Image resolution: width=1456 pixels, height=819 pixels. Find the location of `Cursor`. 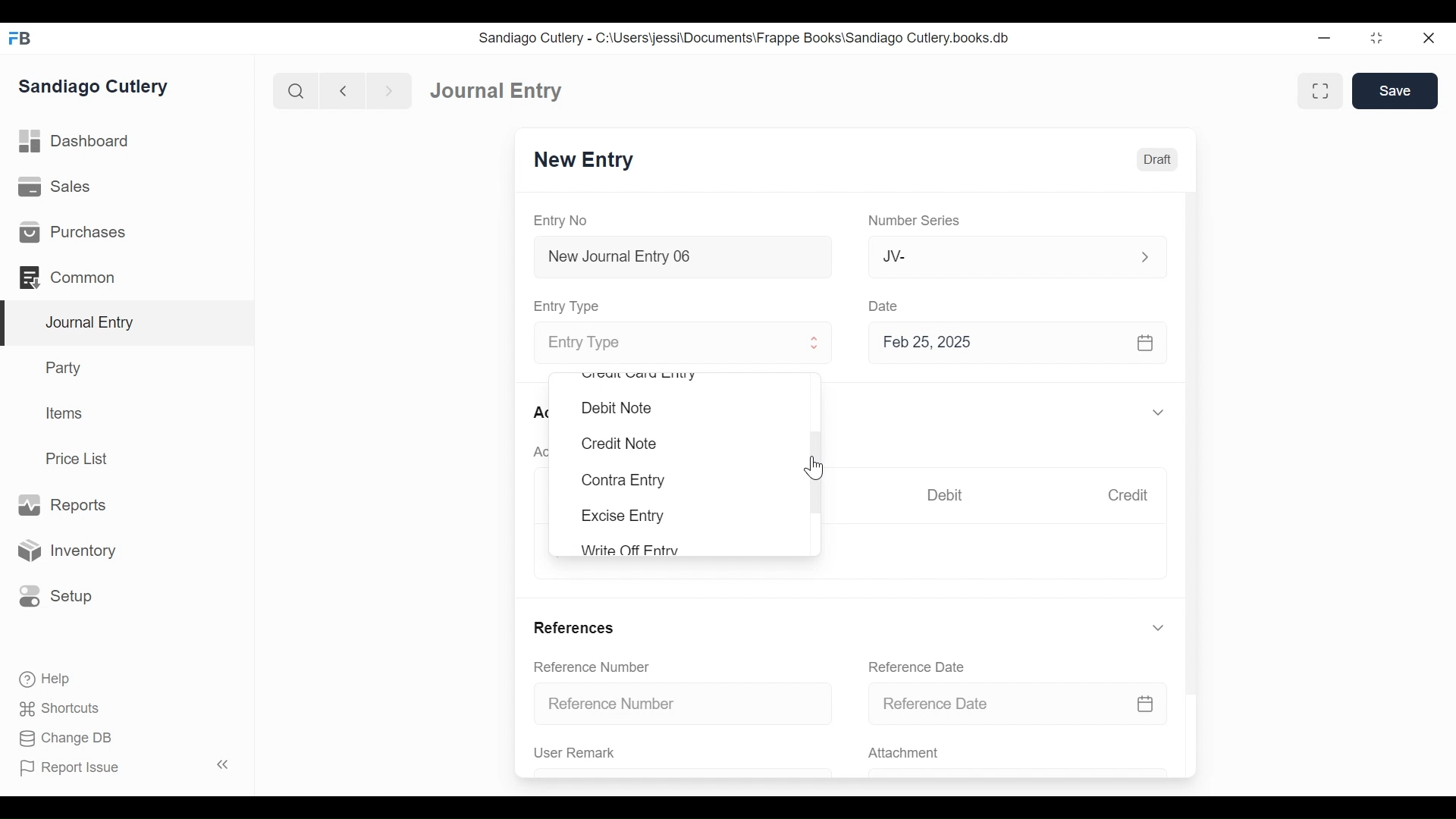

Cursor is located at coordinates (815, 467).